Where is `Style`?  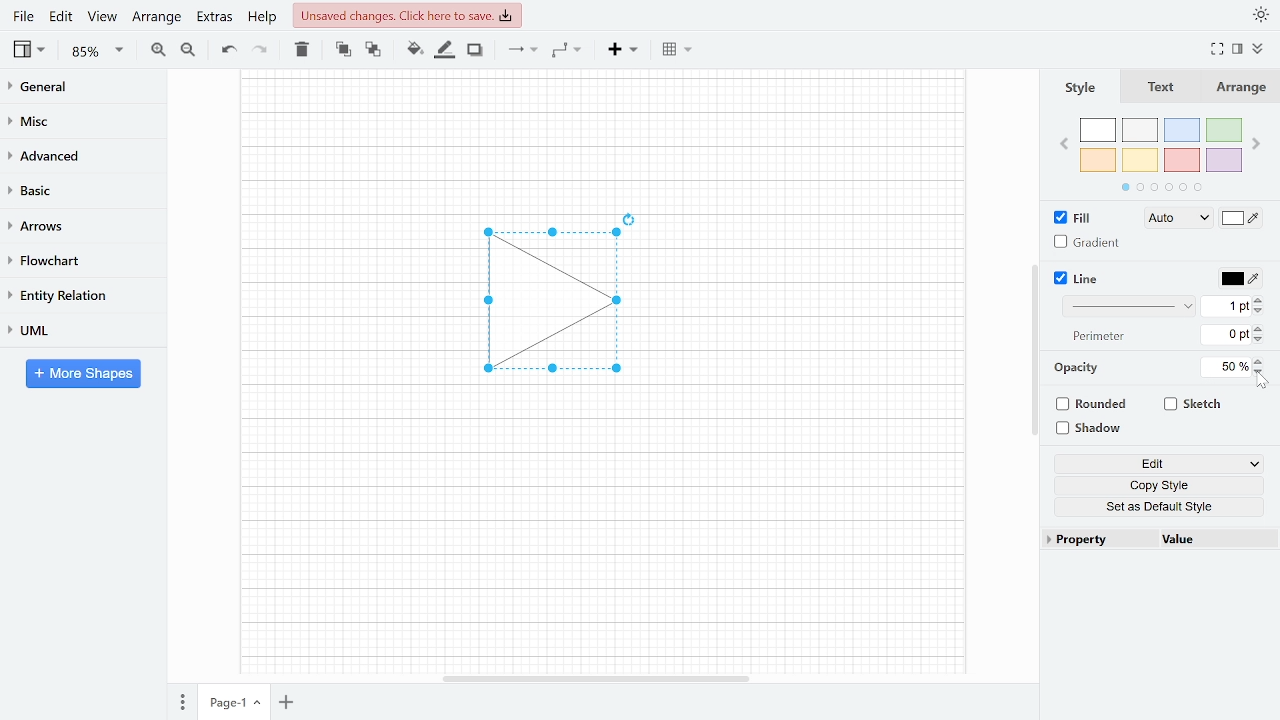
Style is located at coordinates (1078, 87).